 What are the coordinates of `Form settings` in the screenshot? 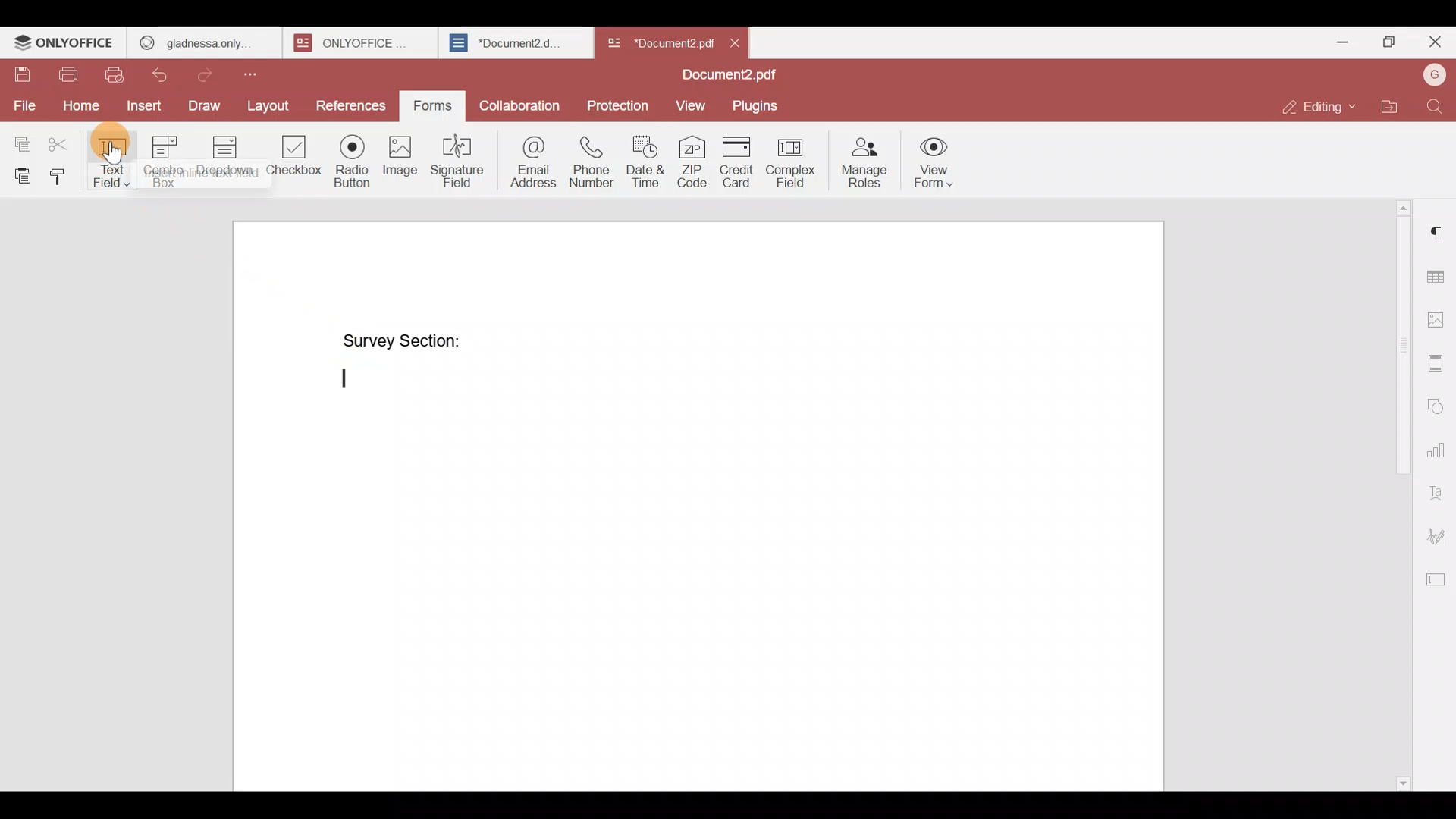 It's located at (1434, 577).